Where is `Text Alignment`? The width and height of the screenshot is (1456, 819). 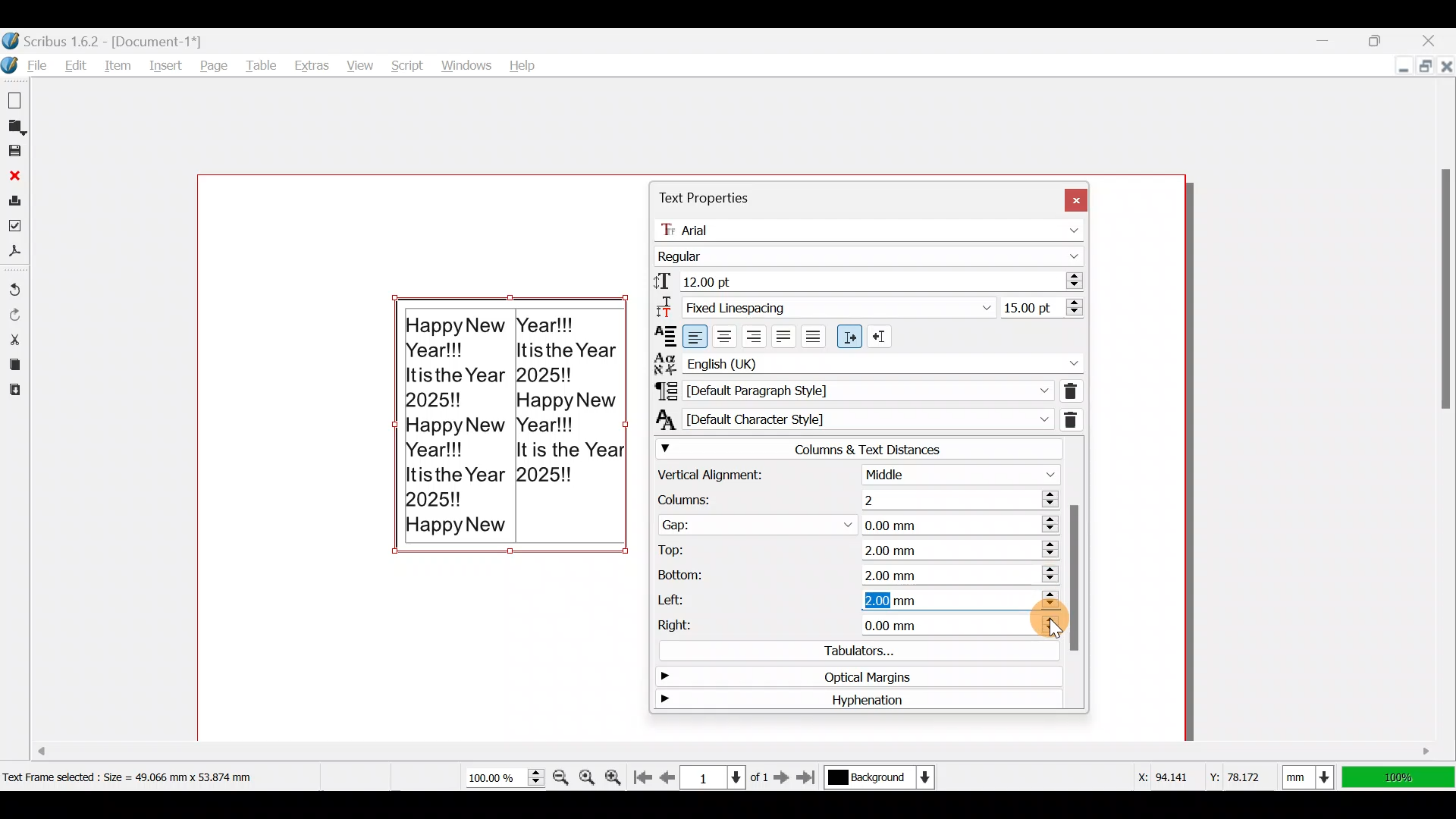 Text Alignment is located at coordinates (661, 335).